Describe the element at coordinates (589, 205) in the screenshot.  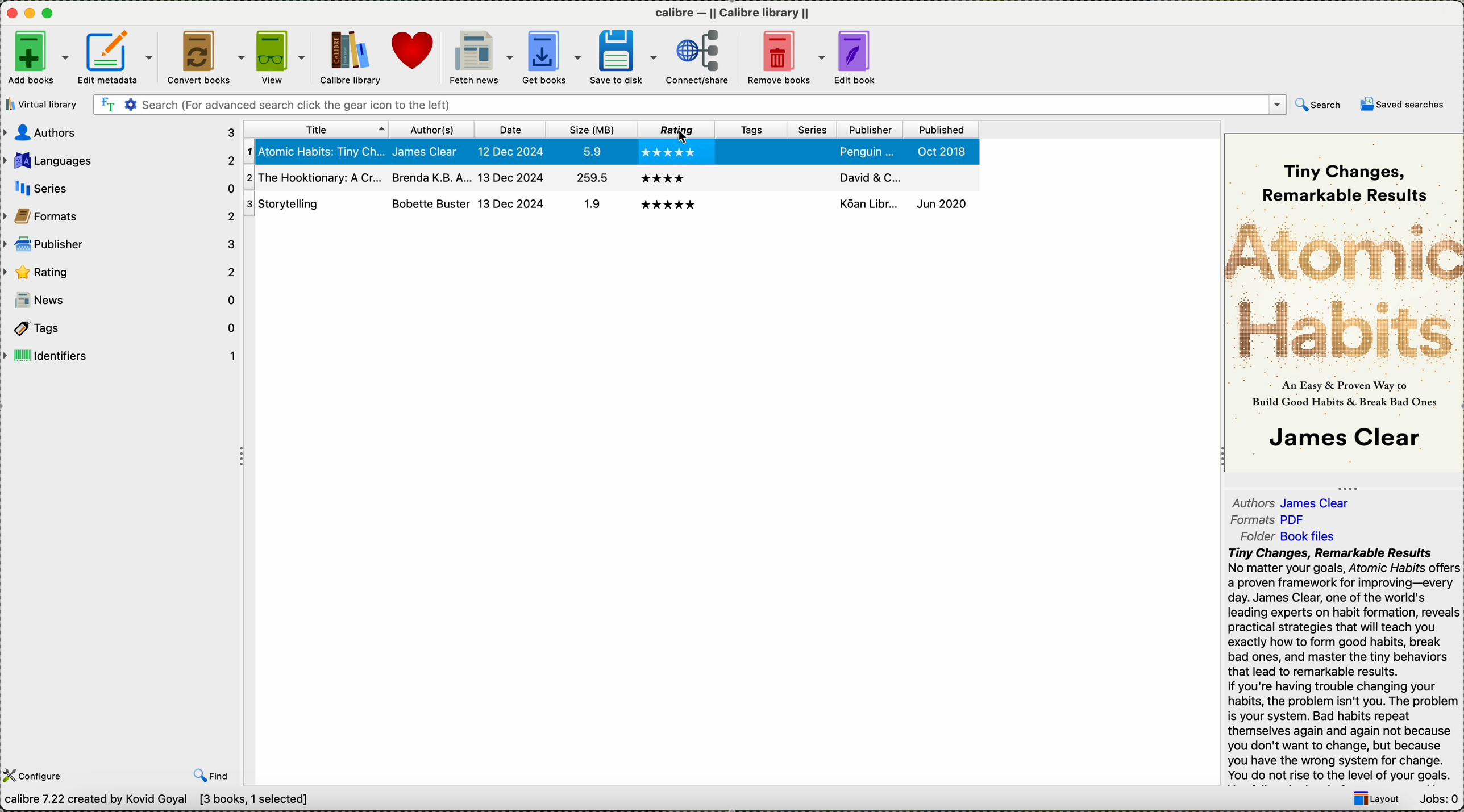
I see `1.9` at that location.